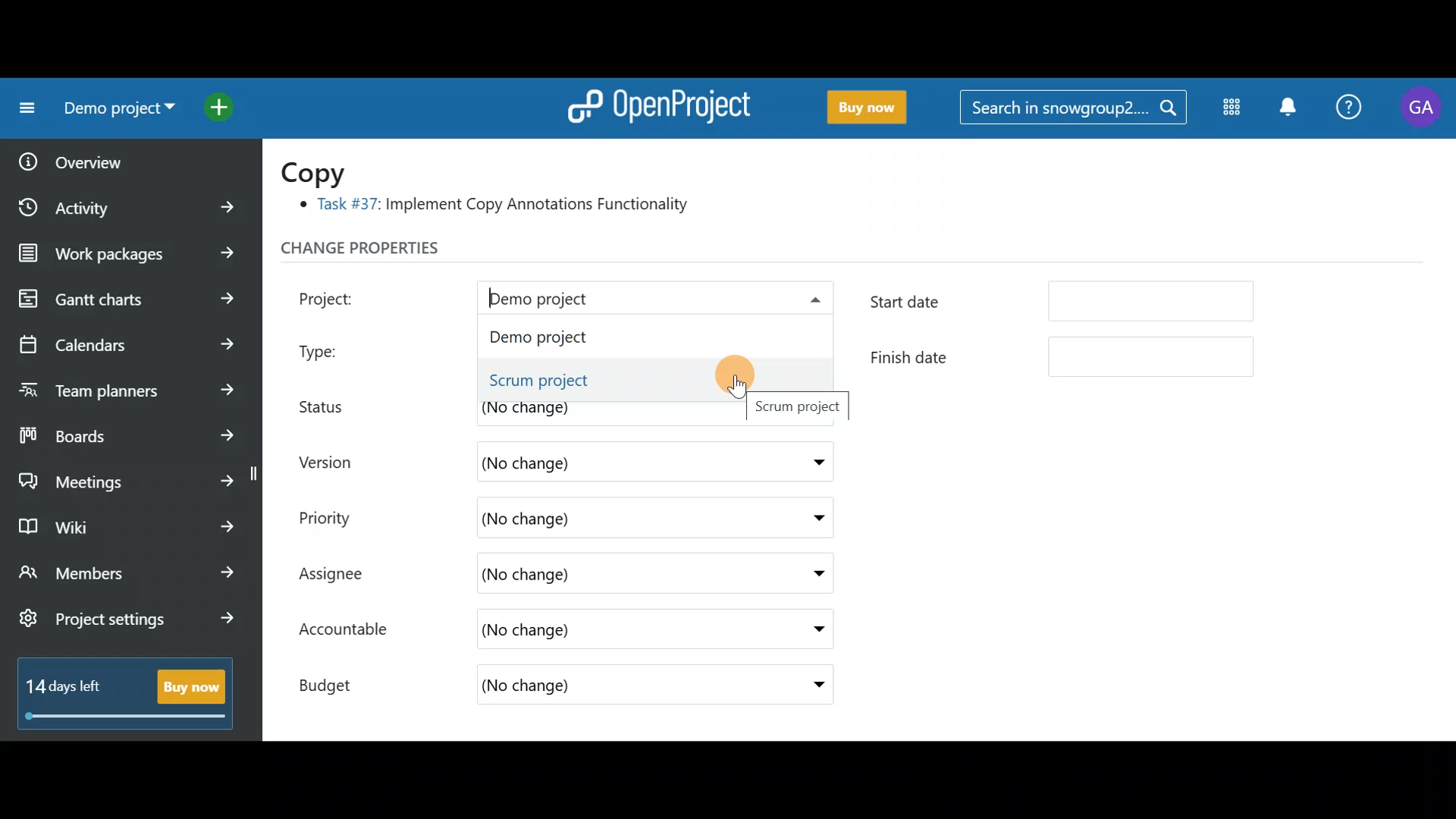  What do you see at coordinates (809, 685) in the screenshot?
I see `Budget drop down` at bounding box center [809, 685].